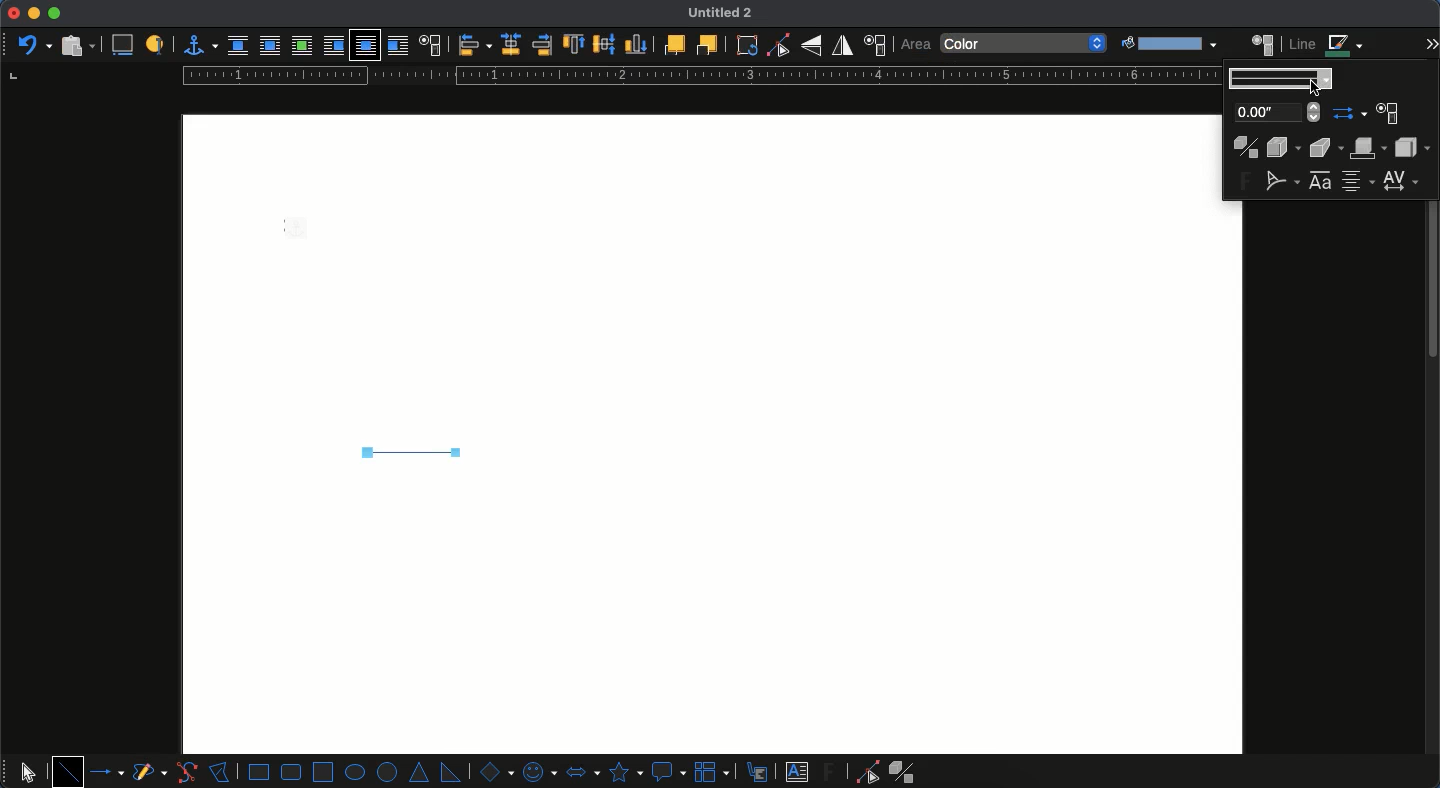  What do you see at coordinates (624, 772) in the screenshot?
I see `stars and banners` at bounding box center [624, 772].